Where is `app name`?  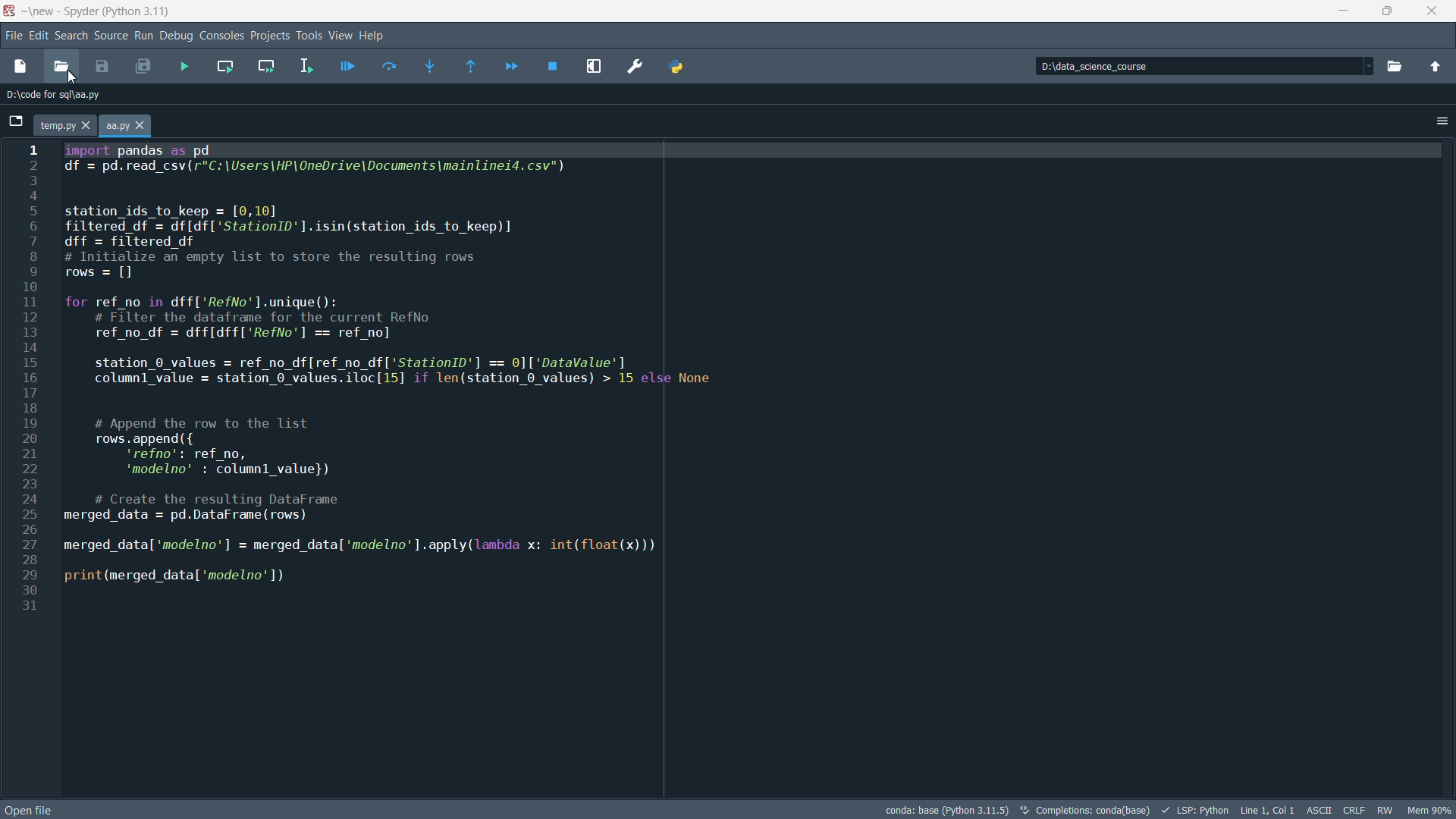
app name is located at coordinates (117, 10).